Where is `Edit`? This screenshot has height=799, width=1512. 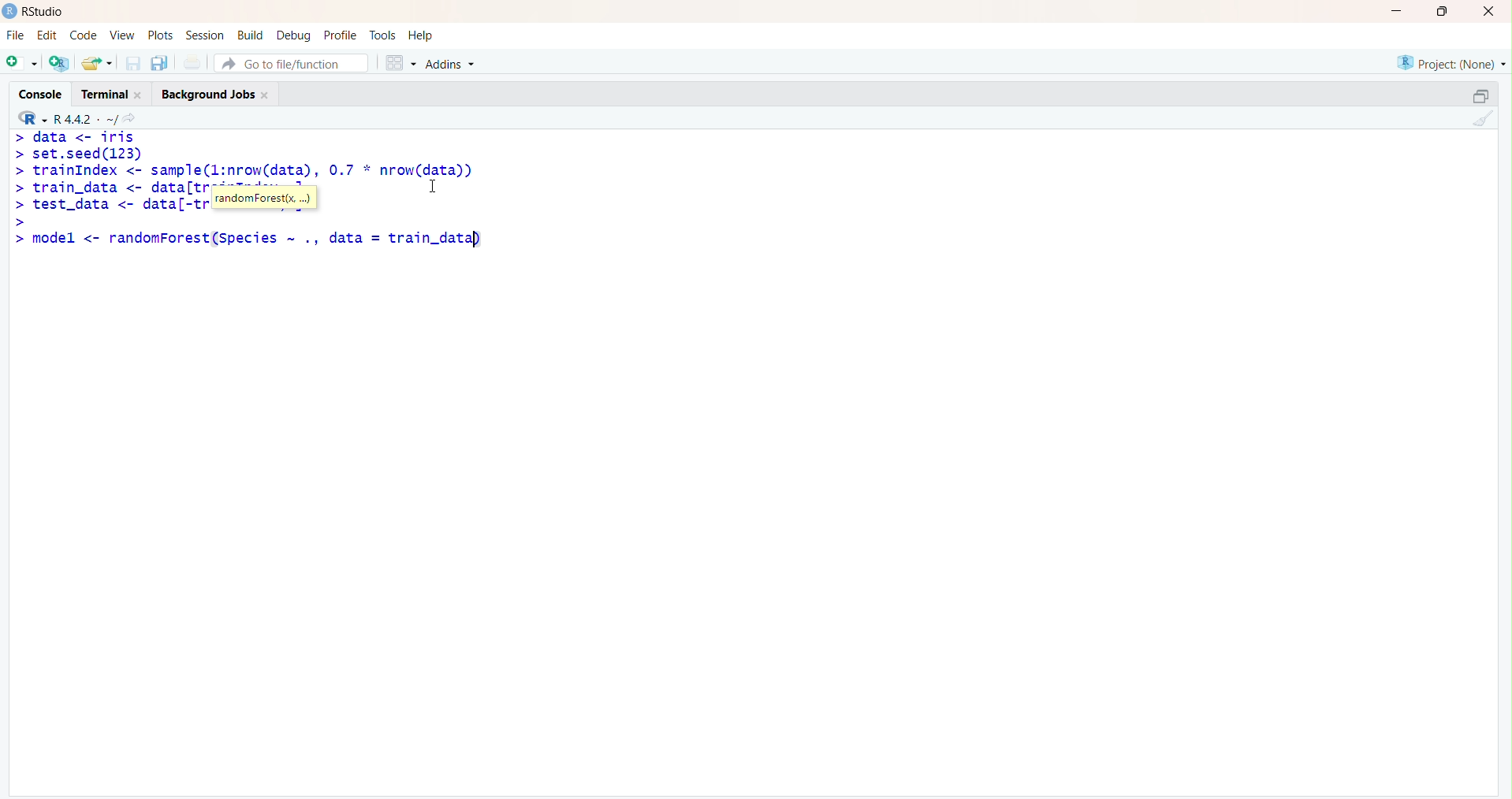 Edit is located at coordinates (47, 33).